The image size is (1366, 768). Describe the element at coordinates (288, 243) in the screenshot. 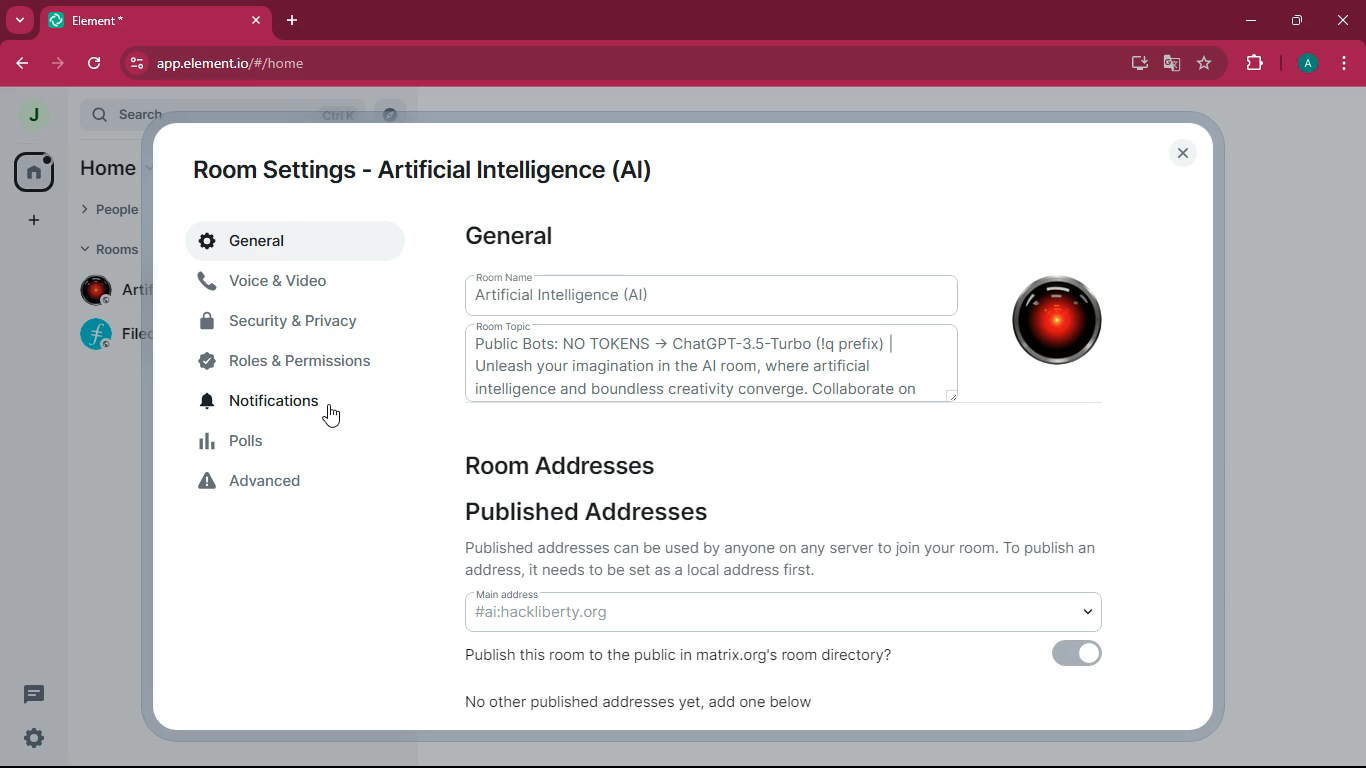

I see `general` at that location.